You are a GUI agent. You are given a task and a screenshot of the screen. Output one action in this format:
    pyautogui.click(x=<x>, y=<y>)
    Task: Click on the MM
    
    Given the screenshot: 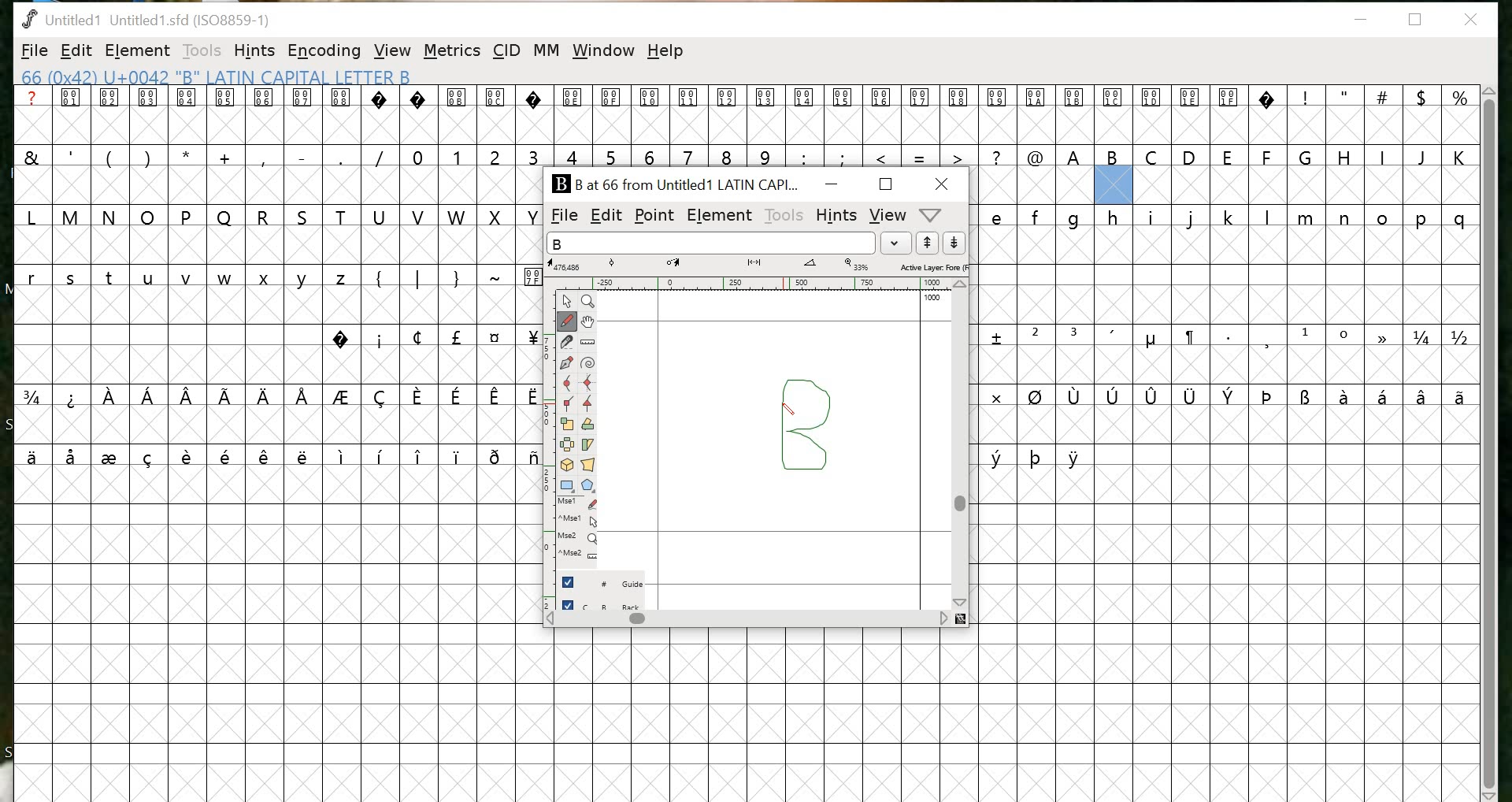 What is the action you would take?
    pyautogui.click(x=547, y=51)
    